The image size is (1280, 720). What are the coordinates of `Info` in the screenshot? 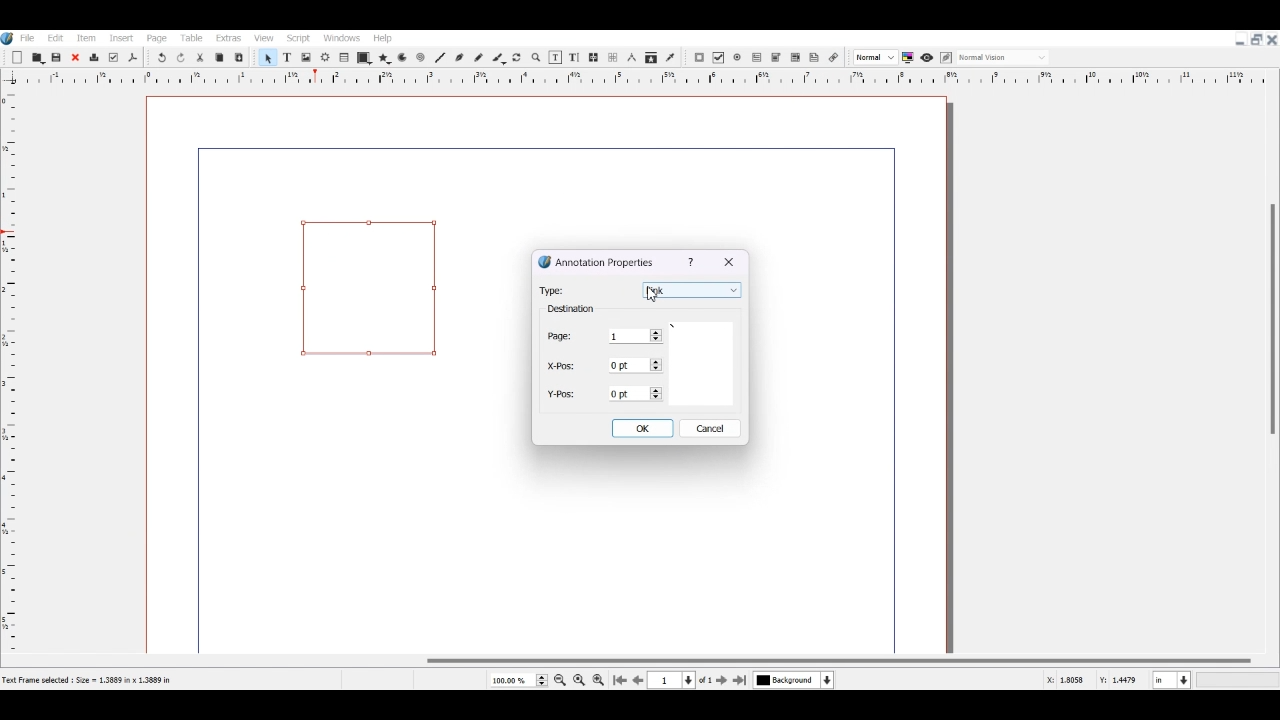 It's located at (691, 262).